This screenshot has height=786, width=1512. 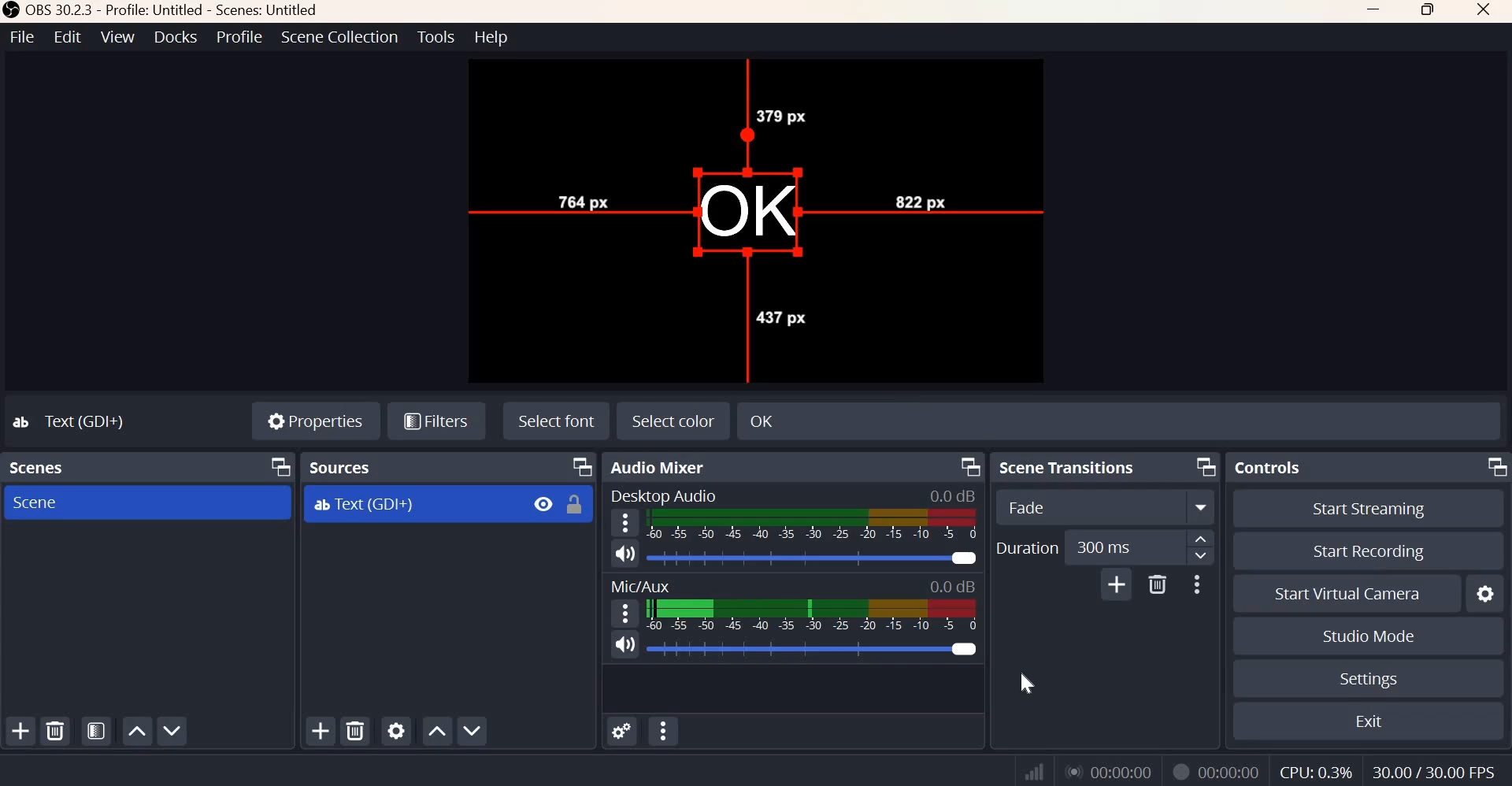 I want to click on Docks, so click(x=176, y=37).